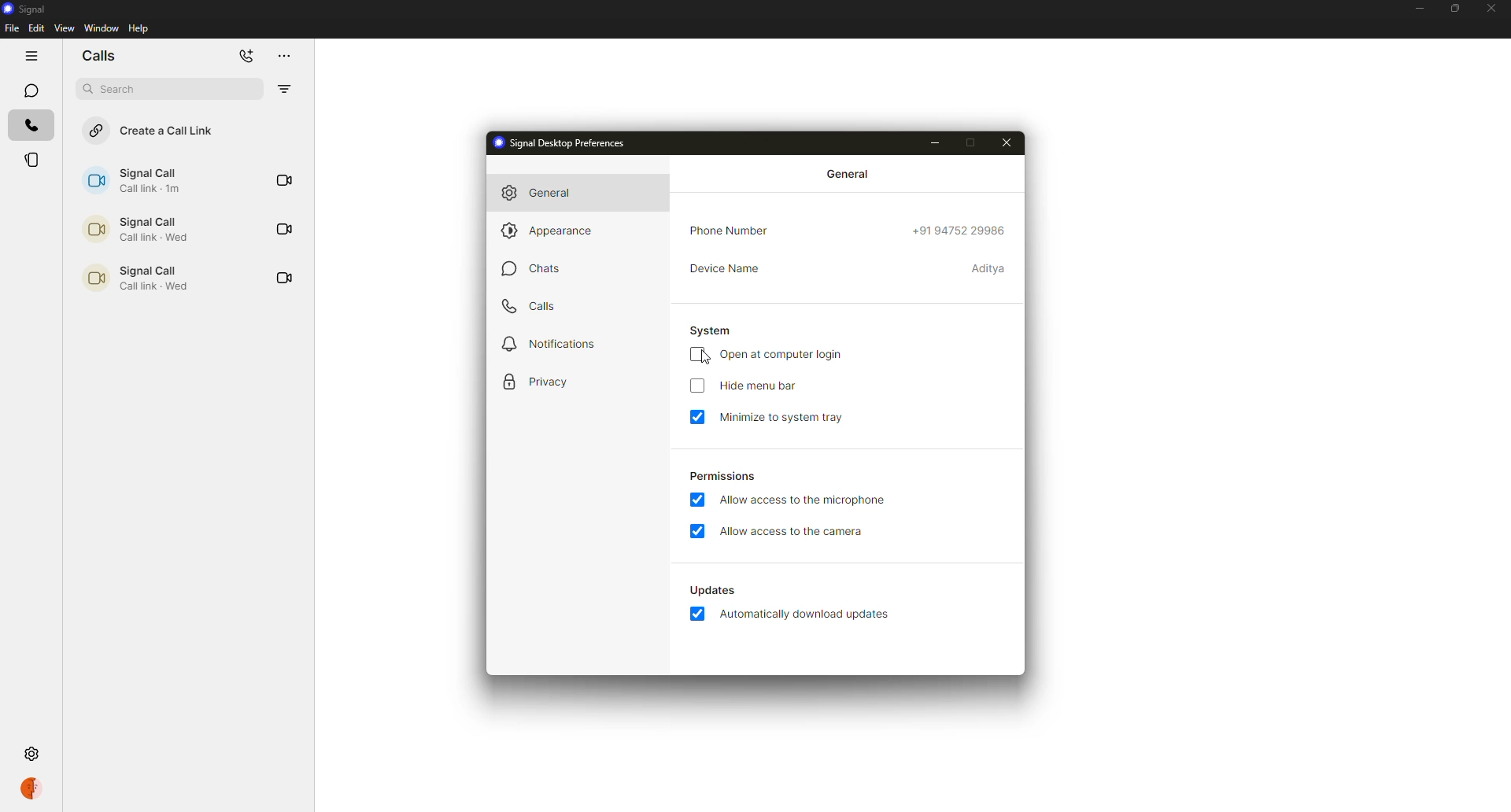 This screenshot has height=812, width=1511. I want to click on settings, so click(31, 753).